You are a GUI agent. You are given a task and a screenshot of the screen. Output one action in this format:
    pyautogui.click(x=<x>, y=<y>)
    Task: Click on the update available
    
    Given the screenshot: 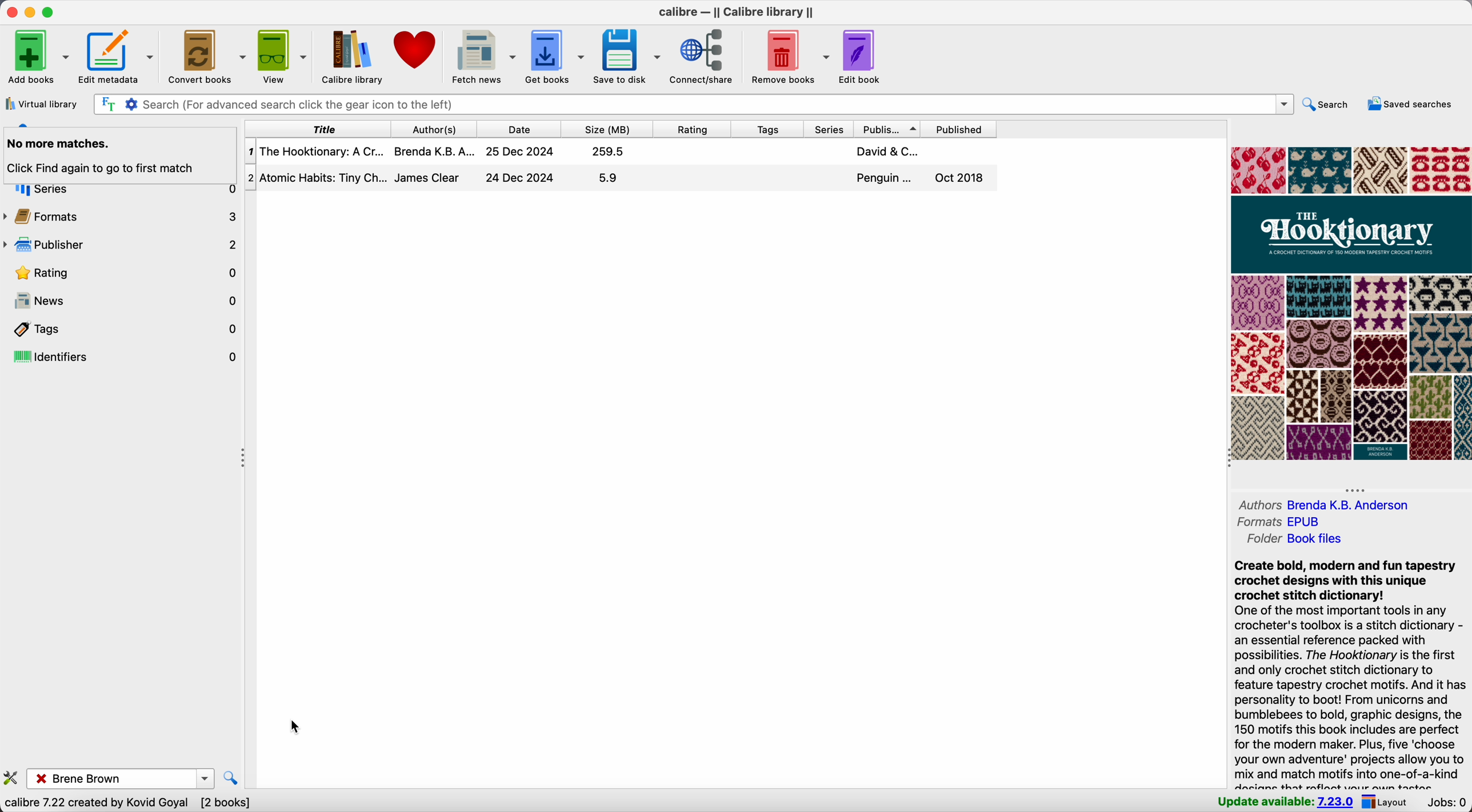 What is the action you would take?
    pyautogui.click(x=1283, y=802)
    